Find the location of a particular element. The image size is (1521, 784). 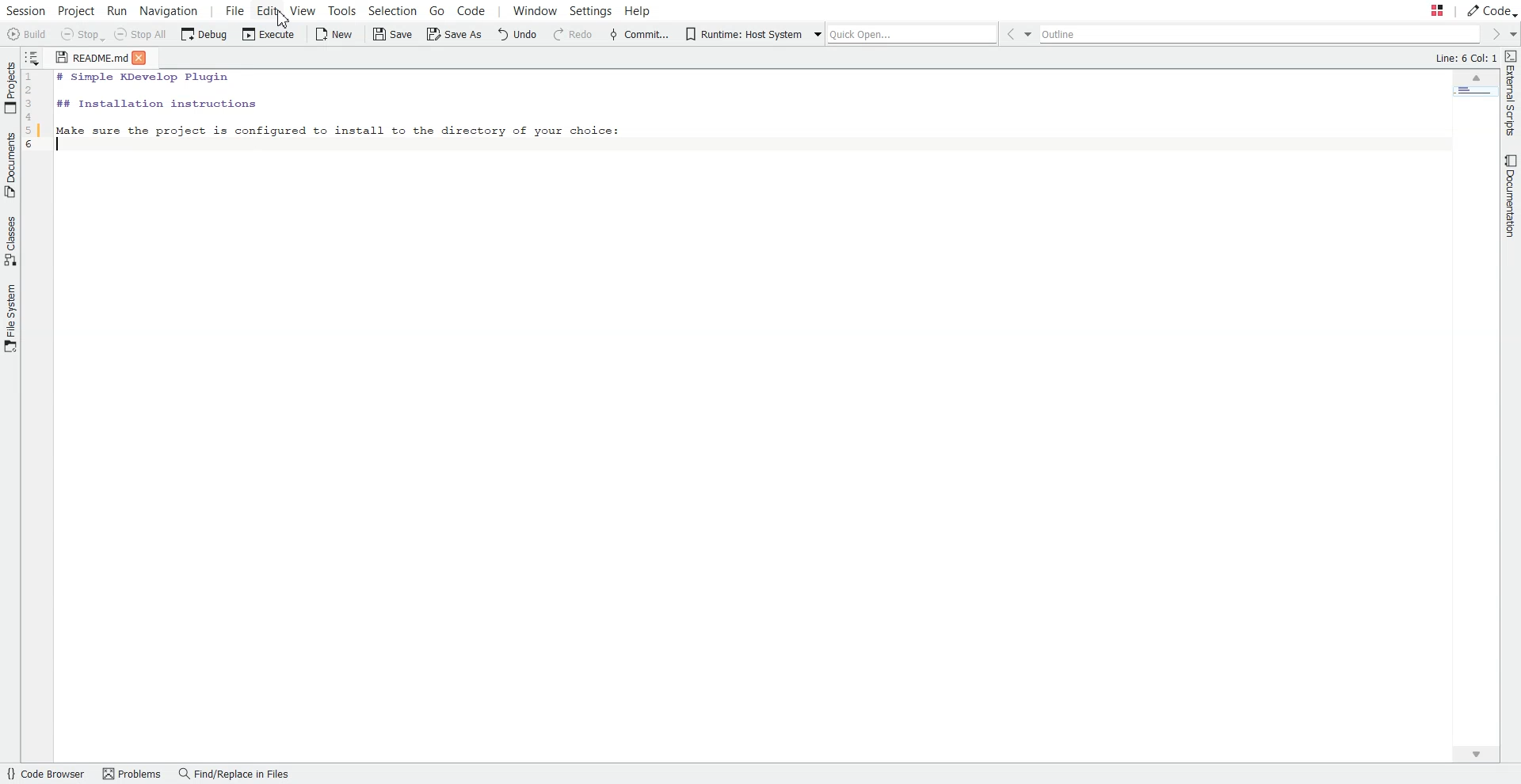

Find/Replace in Files is located at coordinates (233, 774).